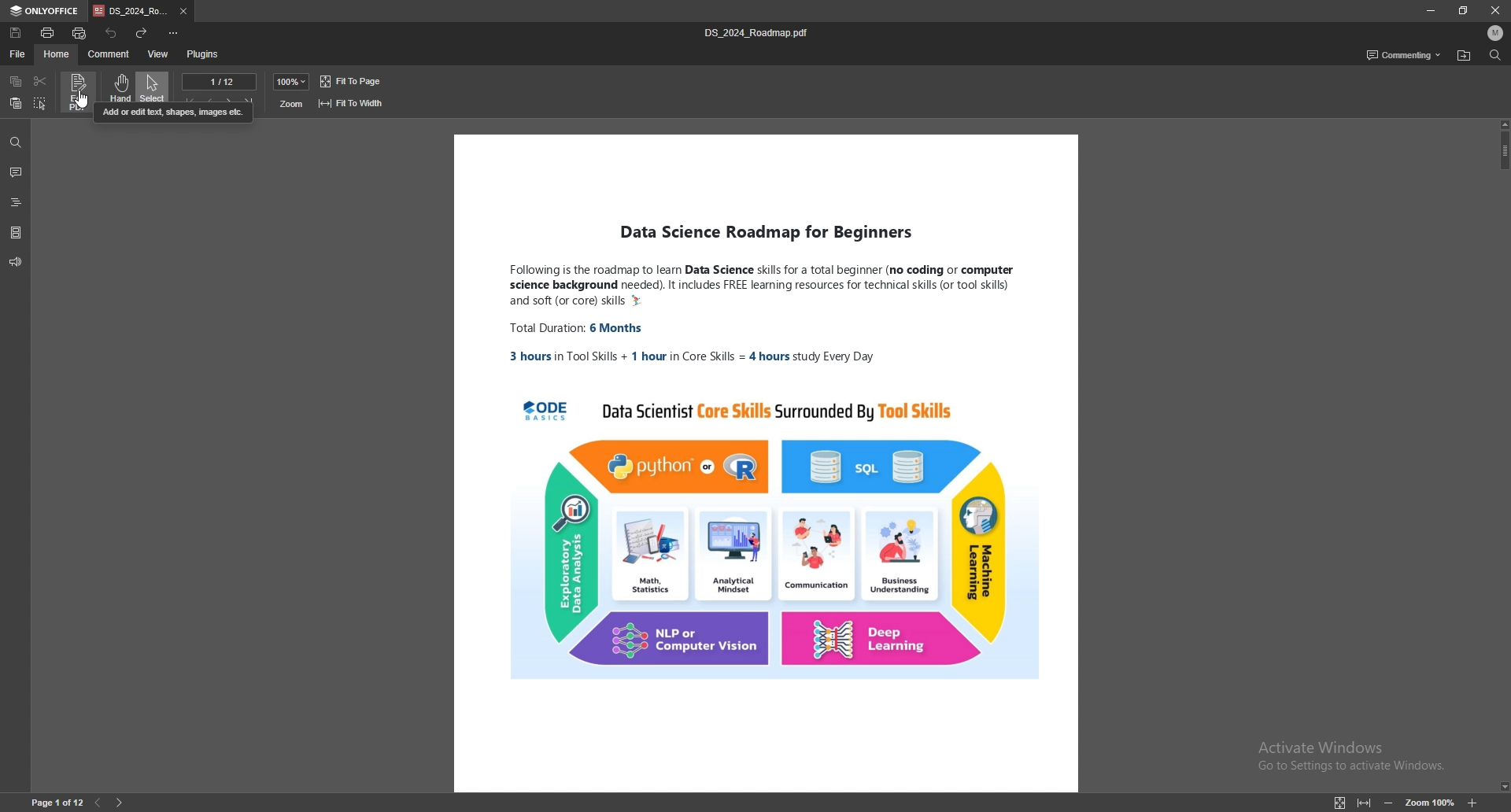 The image size is (1511, 812). What do you see at coordinates (202, 54) in the screenshot?
I see `plugins` at bounding box center [202, 54].